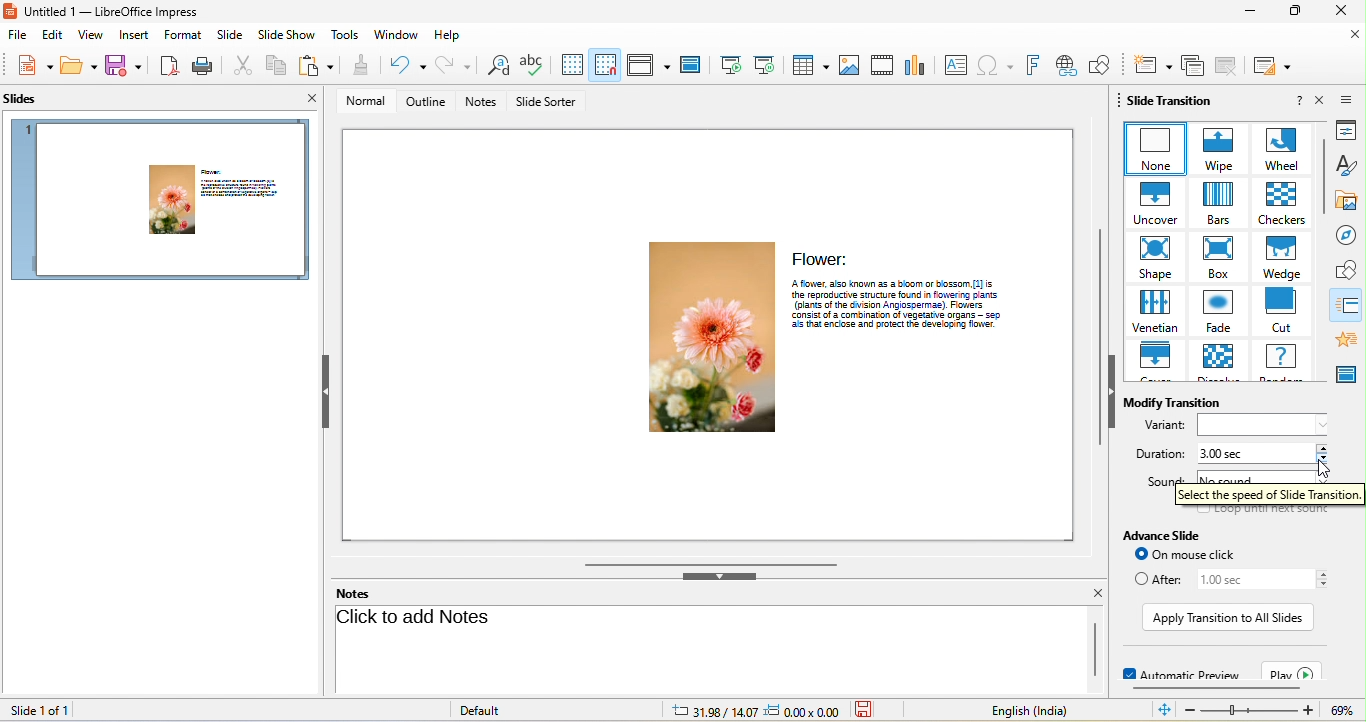 The image size is (1366, 722). Describe the element at coordinates (866, 711) in the screenshot. I see `the document has not been modified since the last save` at that location.